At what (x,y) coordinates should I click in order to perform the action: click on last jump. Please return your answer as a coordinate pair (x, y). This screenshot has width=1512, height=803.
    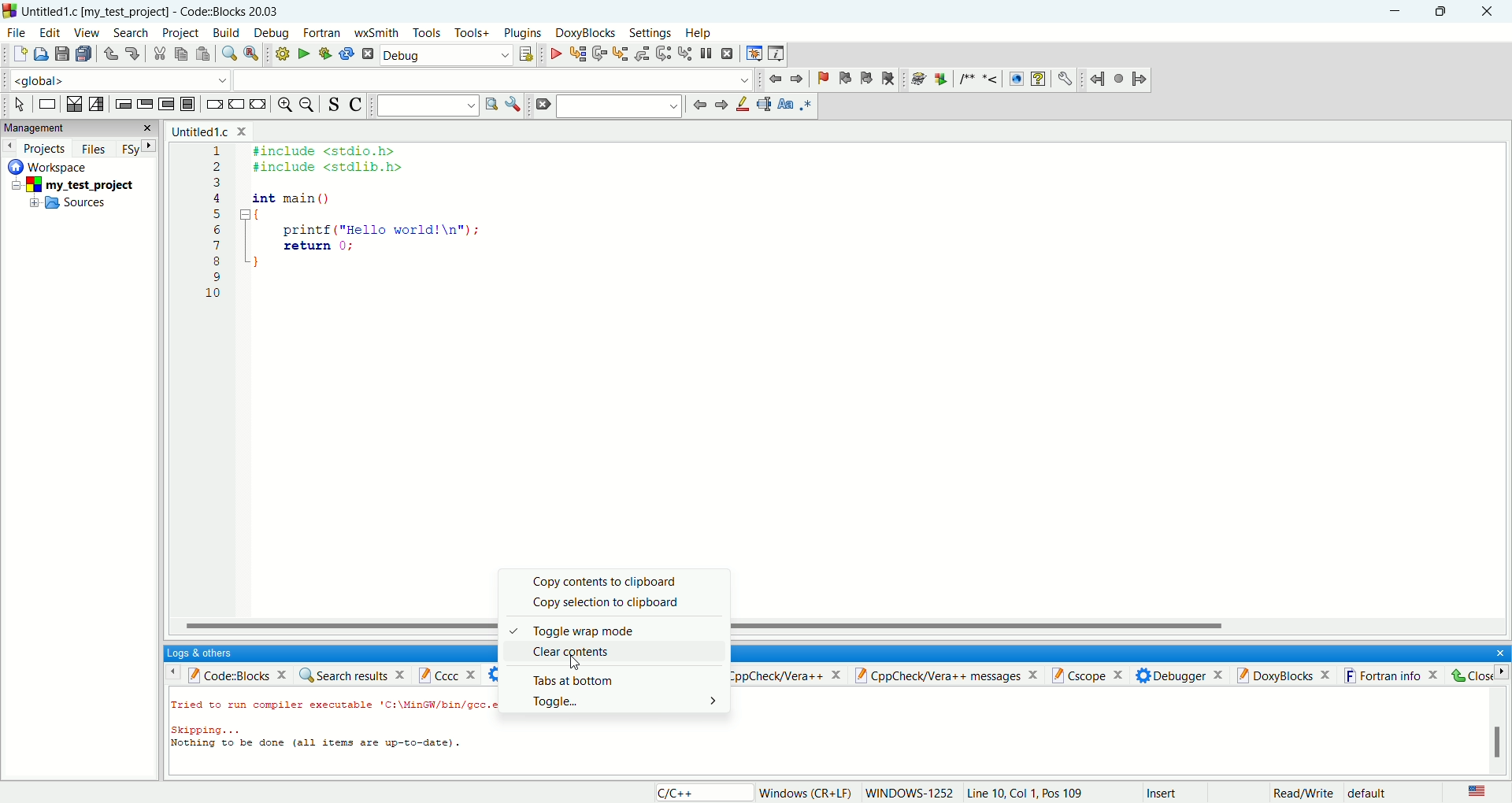
    Looking at the image, I should click on (1119, 78).